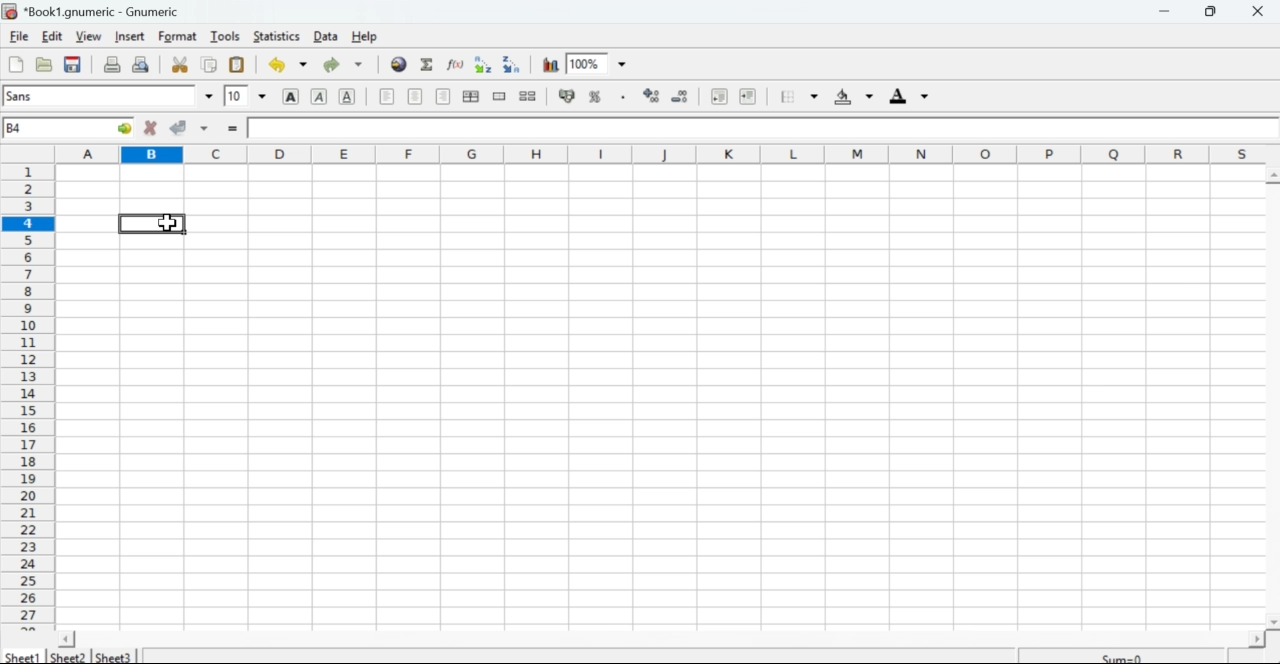  What do you see at coordinates (114, 655) in the screenshot?
I see `Sheet 3` at bounding box center [114, 655].